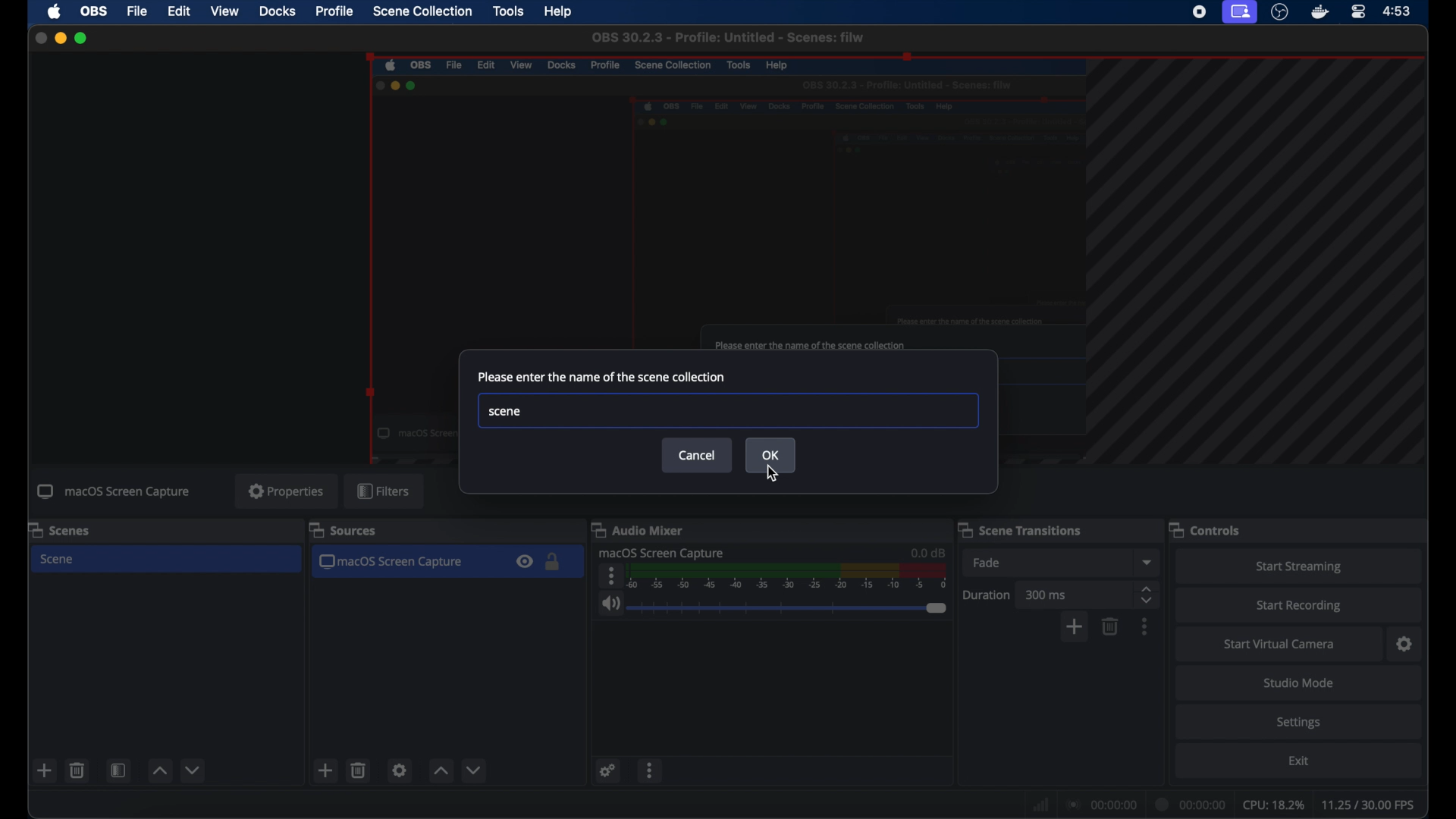 The width and height of the screenshot is (1456, 819). Describe the element at coordinates (987, 594) in the screenshot. I see `duration` at that location.